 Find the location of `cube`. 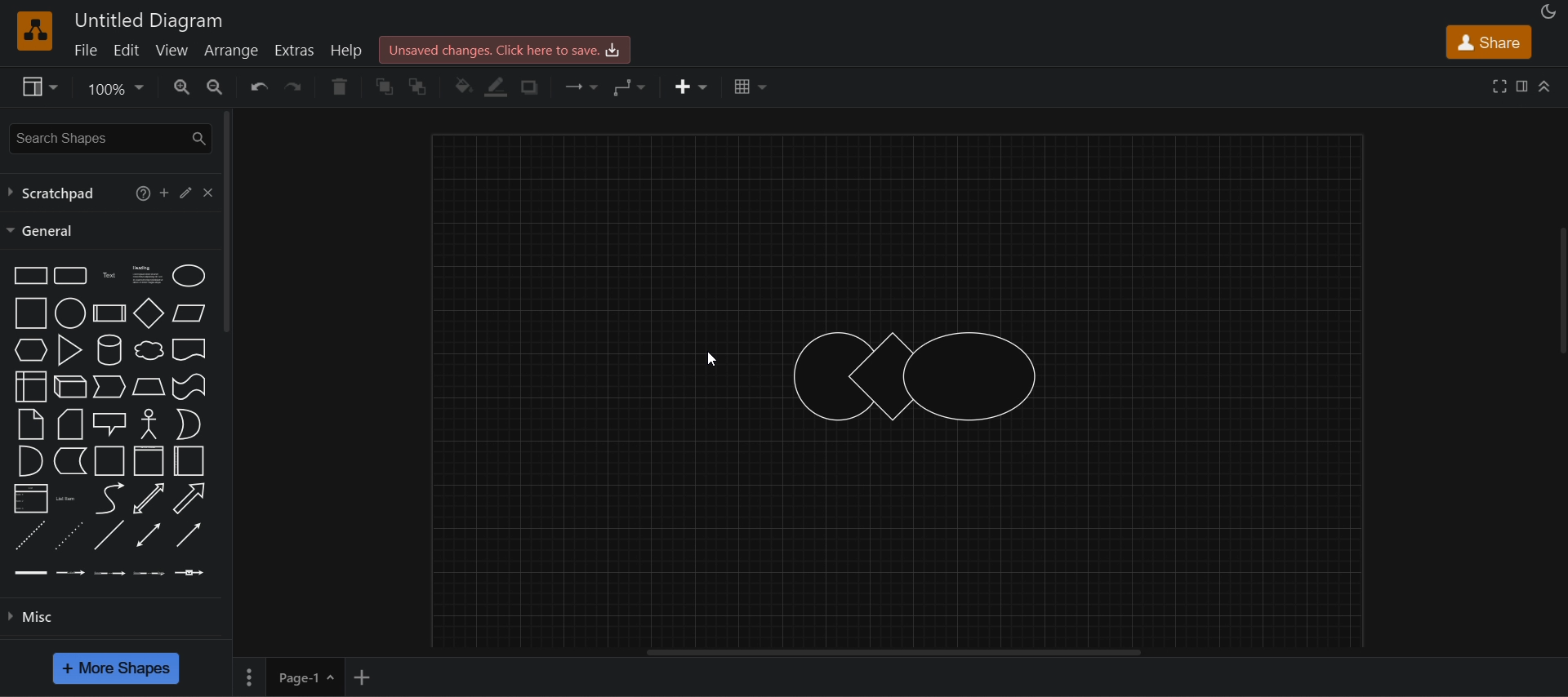

cube is located at coordinates (70, 385).